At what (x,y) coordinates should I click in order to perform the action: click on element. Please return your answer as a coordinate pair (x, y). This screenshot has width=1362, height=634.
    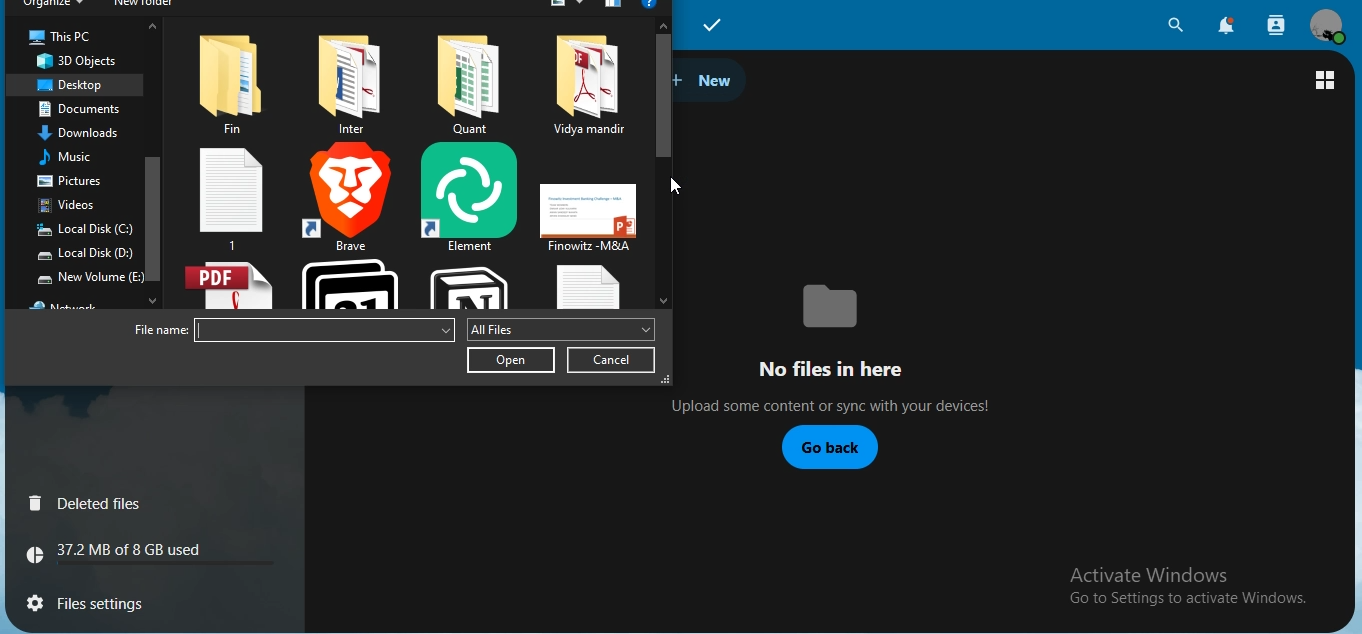
    Looking at the image, I should click on (467, 197).